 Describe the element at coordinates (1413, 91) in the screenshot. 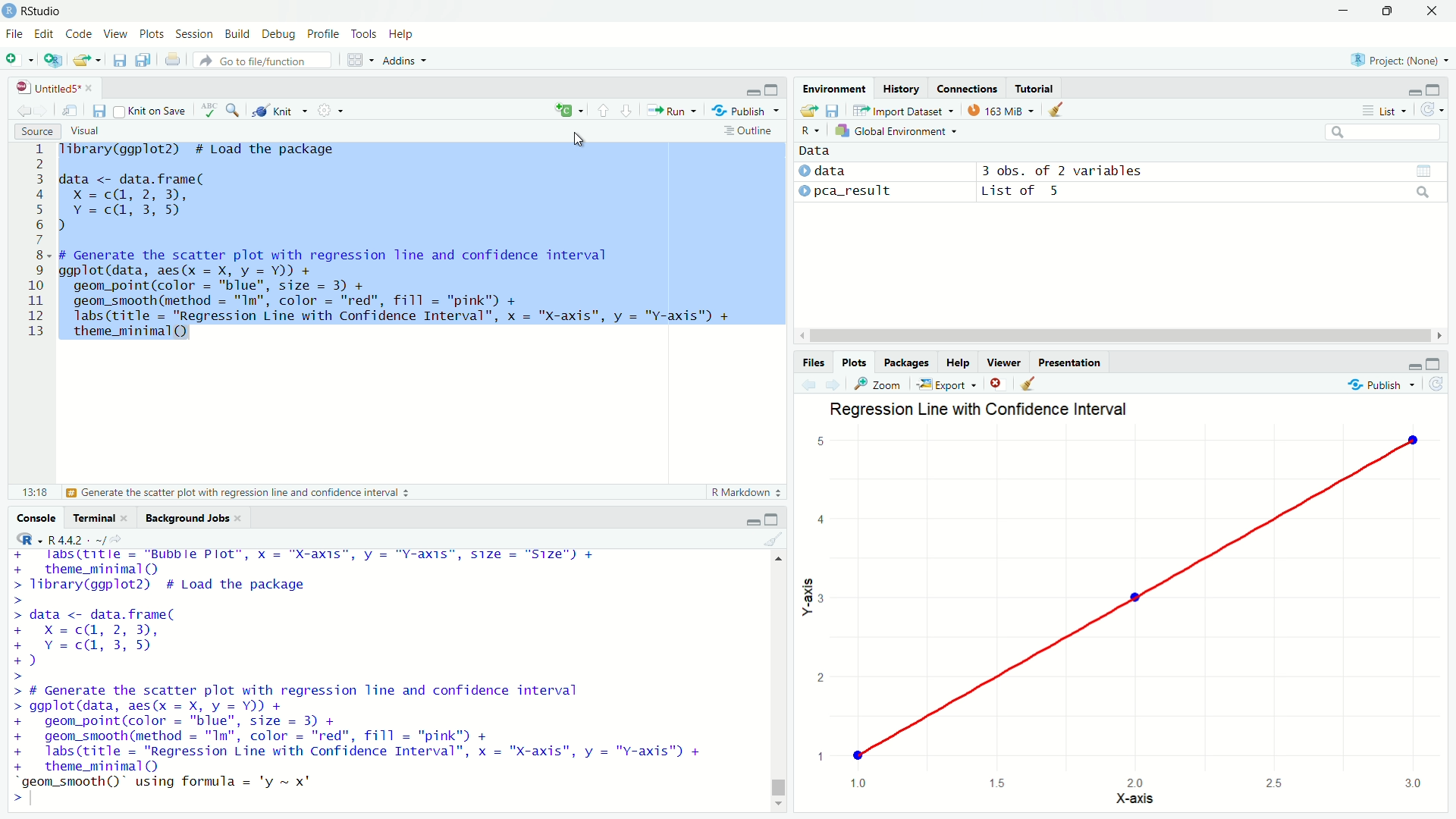

I see `minimize` at that location.